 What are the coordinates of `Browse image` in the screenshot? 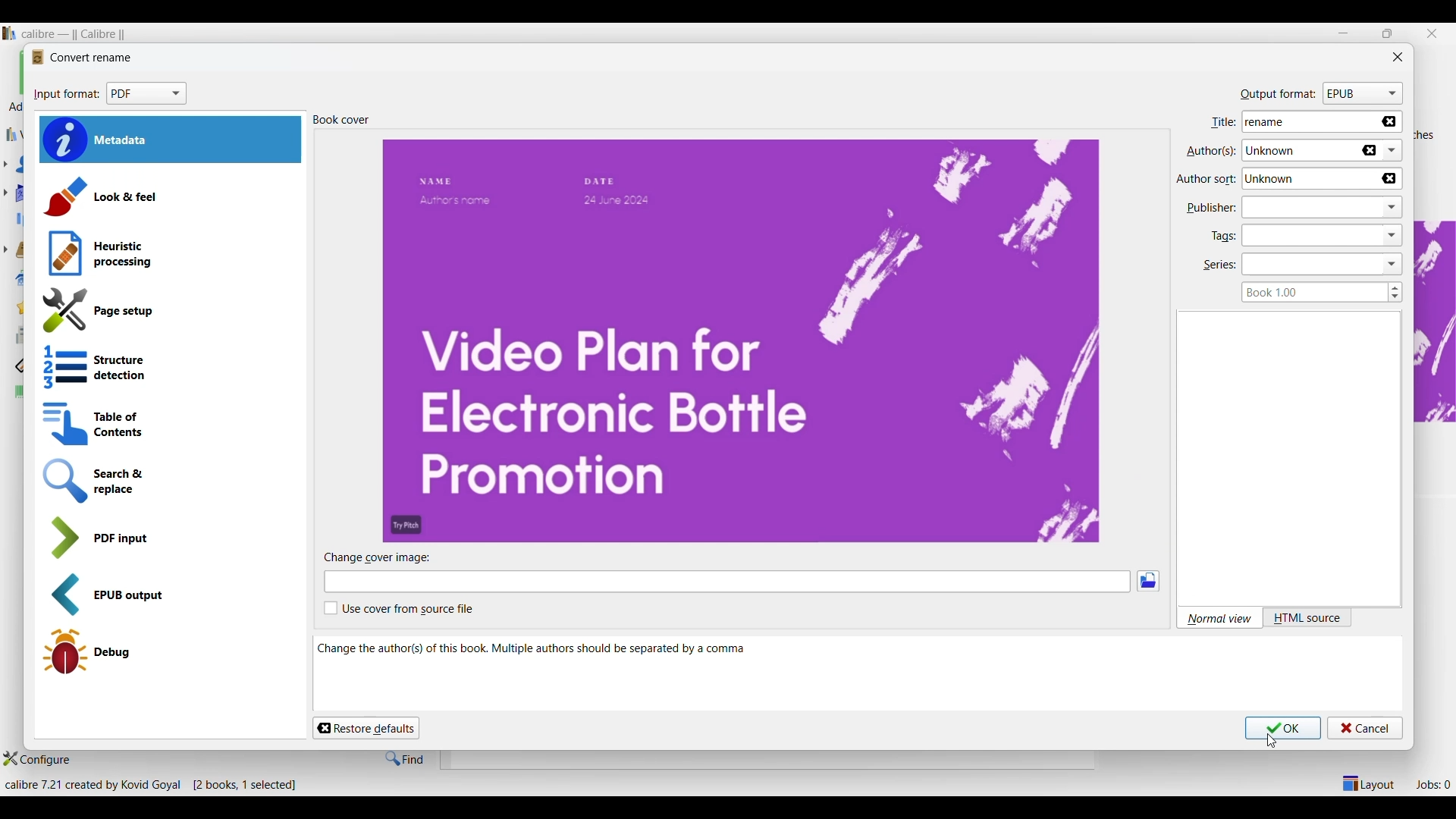 It's located at (1148, 582).